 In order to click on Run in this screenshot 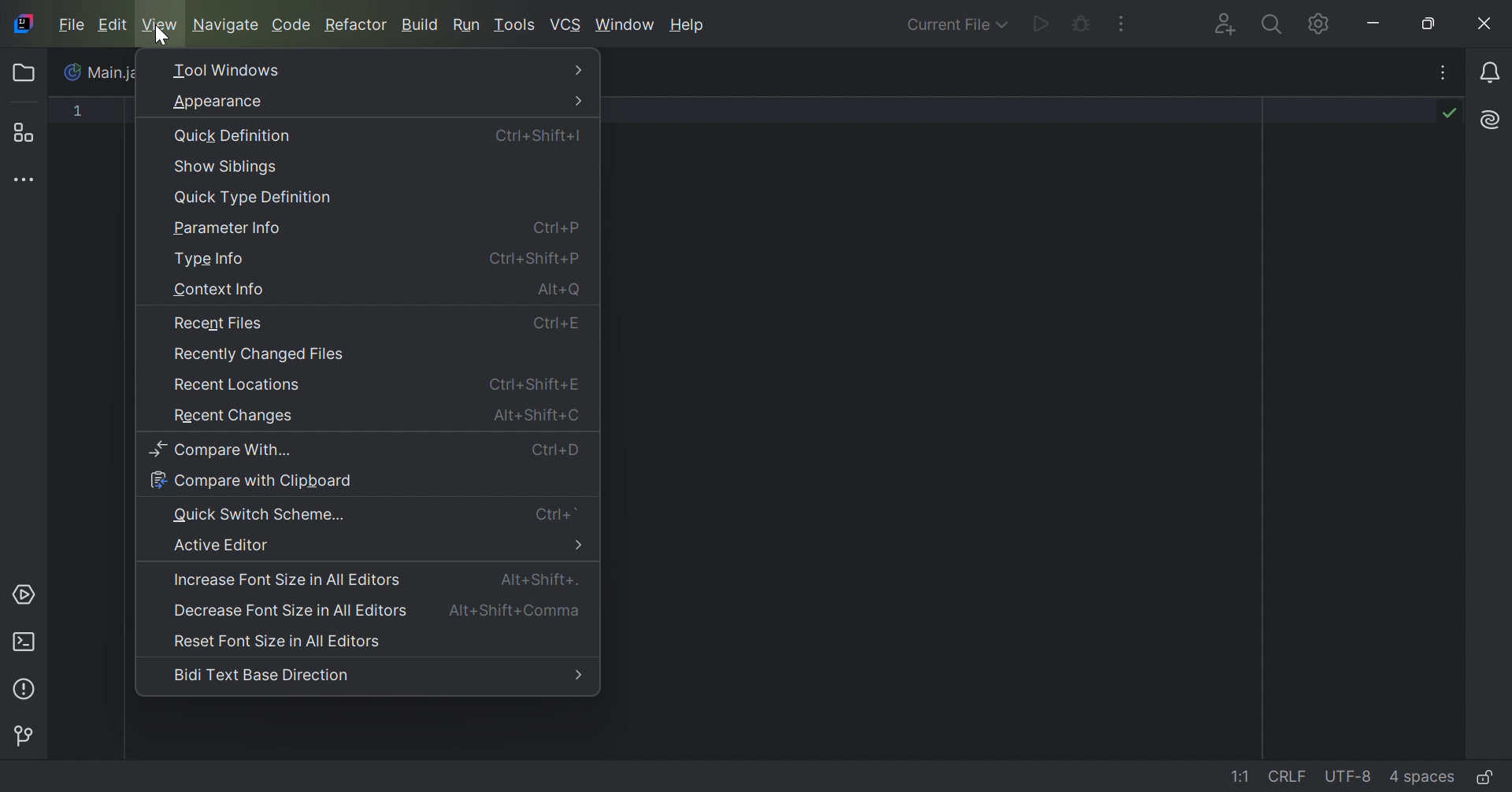, I will do `click(467, 24)`.